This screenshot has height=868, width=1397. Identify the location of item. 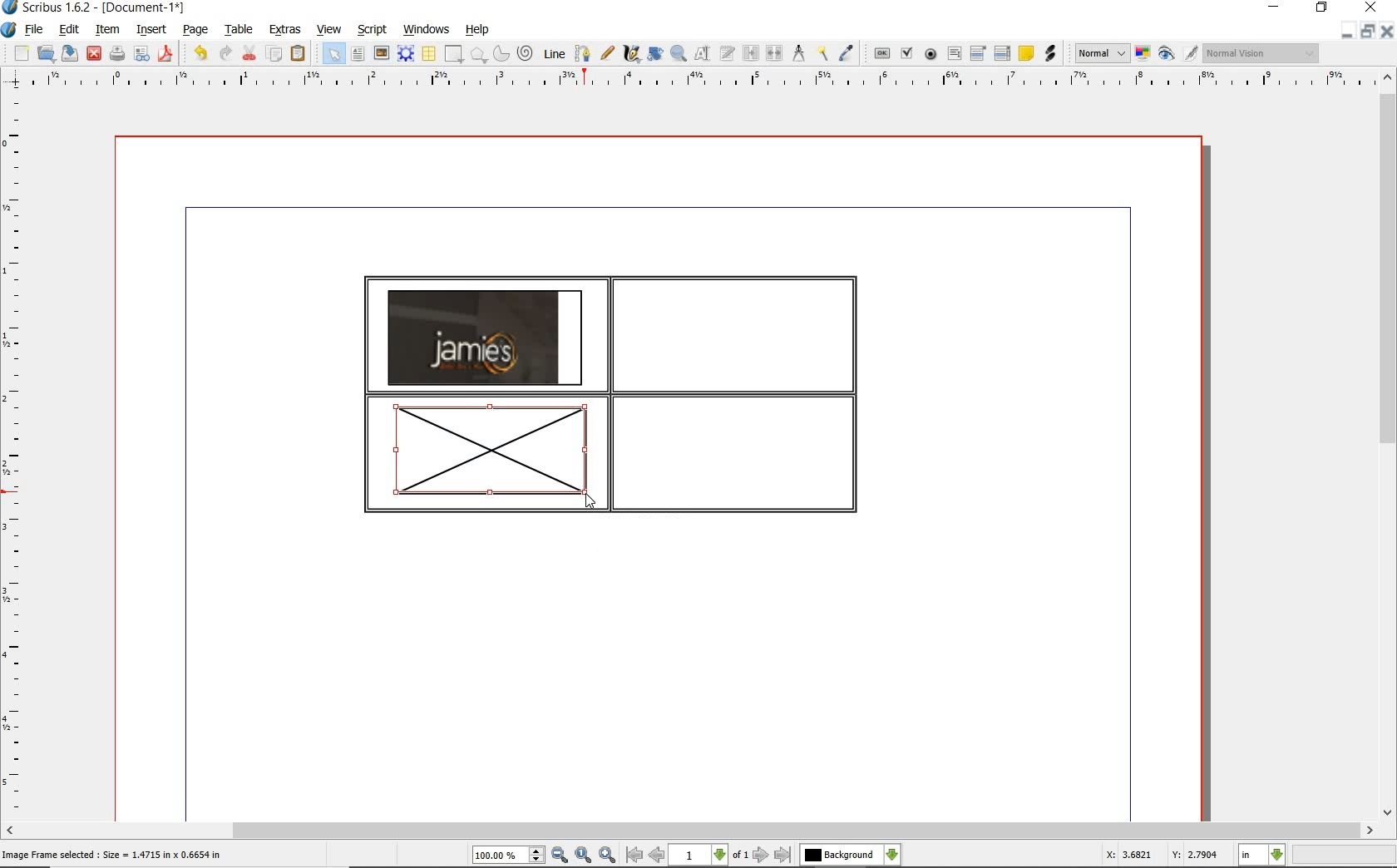
(106, 30).